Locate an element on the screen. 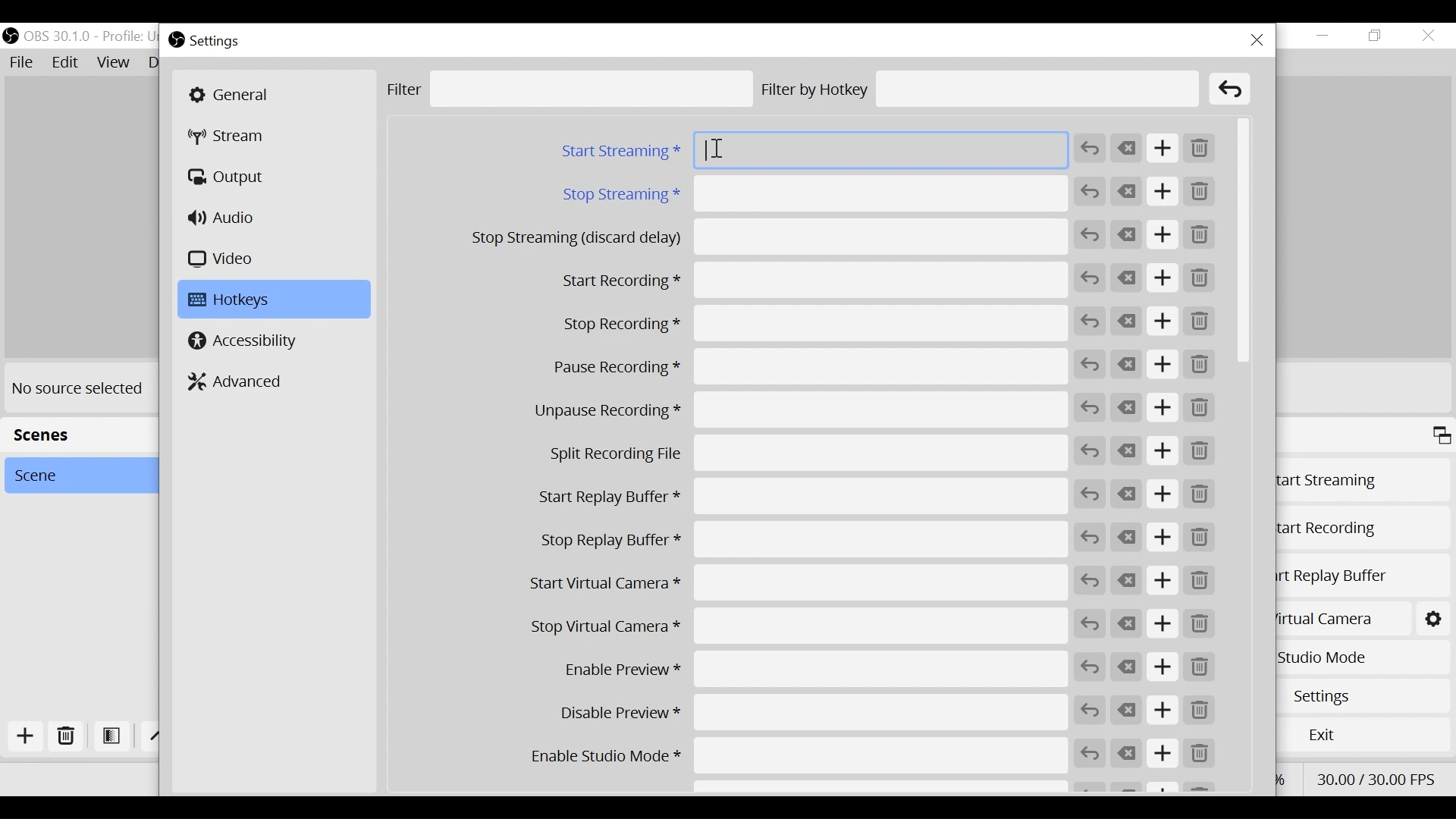  Settings is located at coordinates (1369, 695).